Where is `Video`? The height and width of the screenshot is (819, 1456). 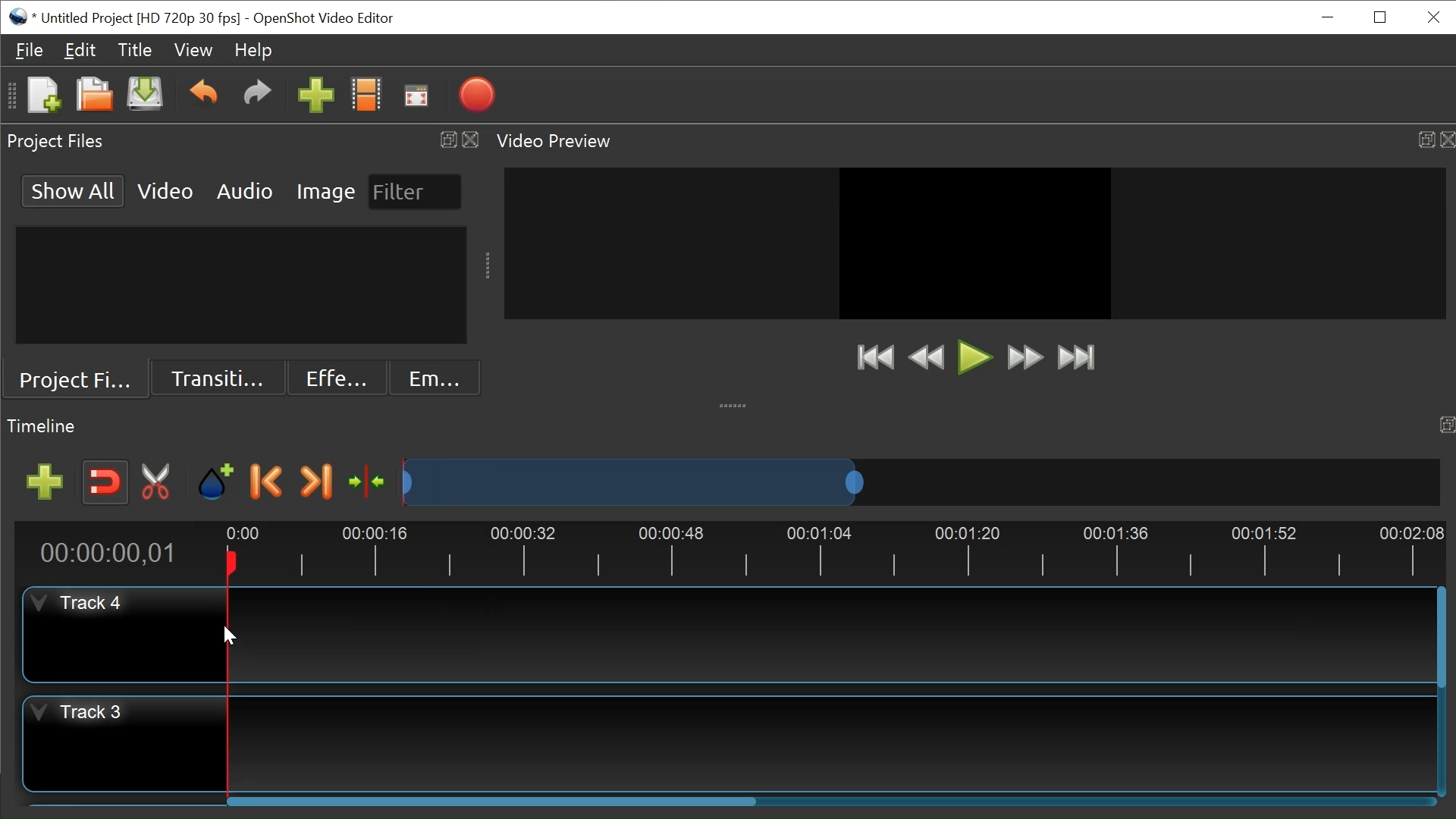 Video is located at coordinates (166, 190).